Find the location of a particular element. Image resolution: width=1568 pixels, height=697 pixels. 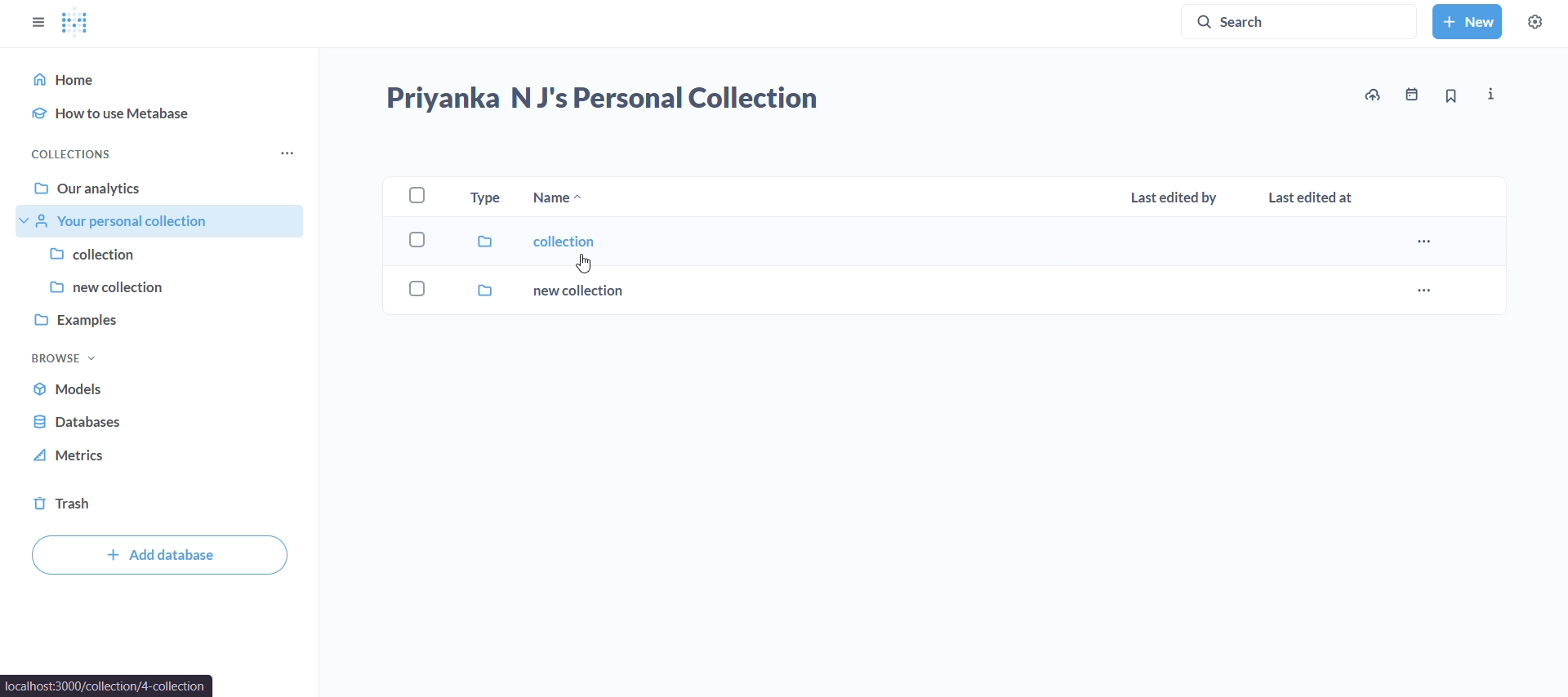

add database is located at coordinates (159, 557).